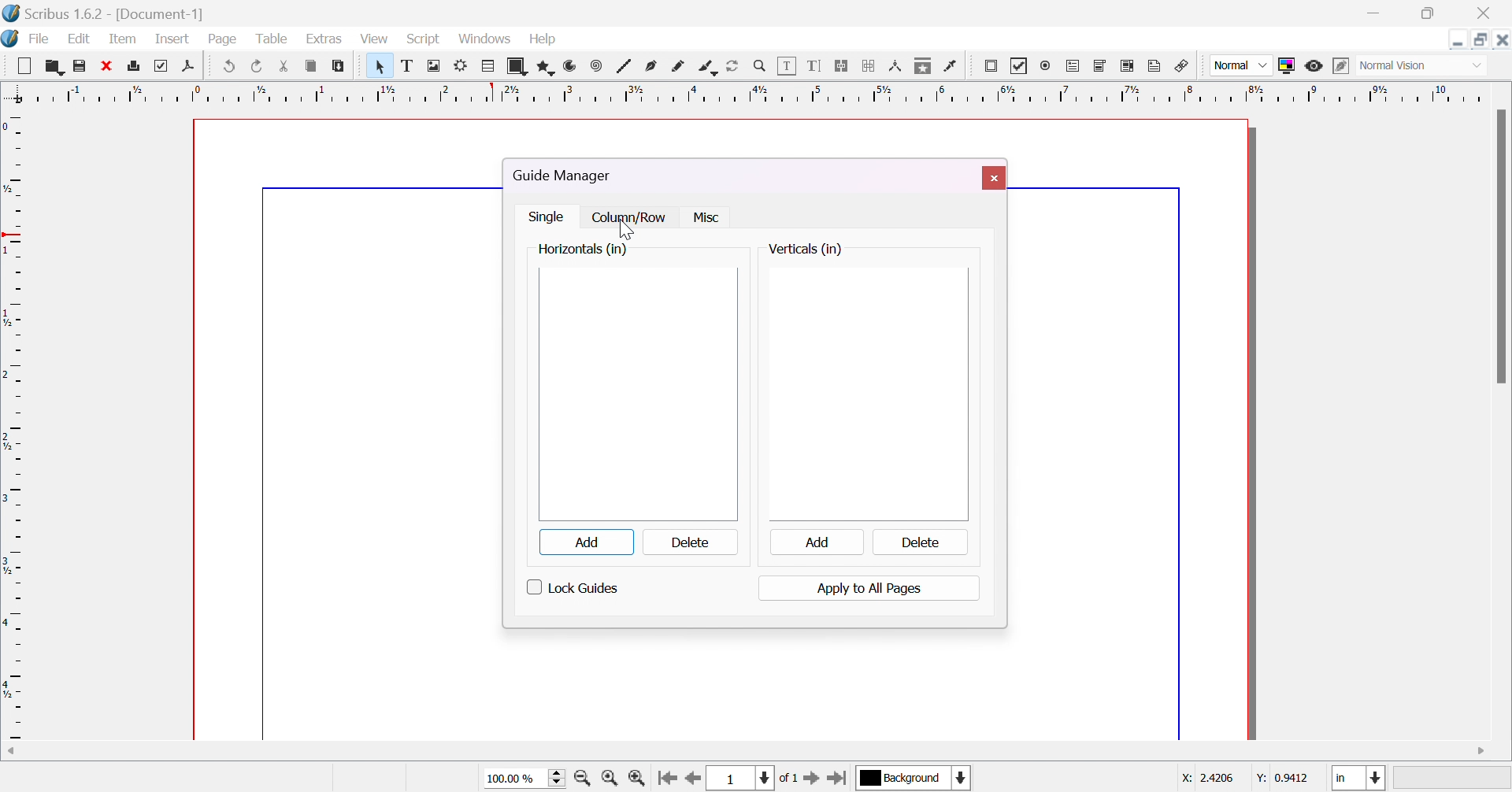 This screenshot has width=1512, height=792. I want to click on save as pdf, so click(194, 65).